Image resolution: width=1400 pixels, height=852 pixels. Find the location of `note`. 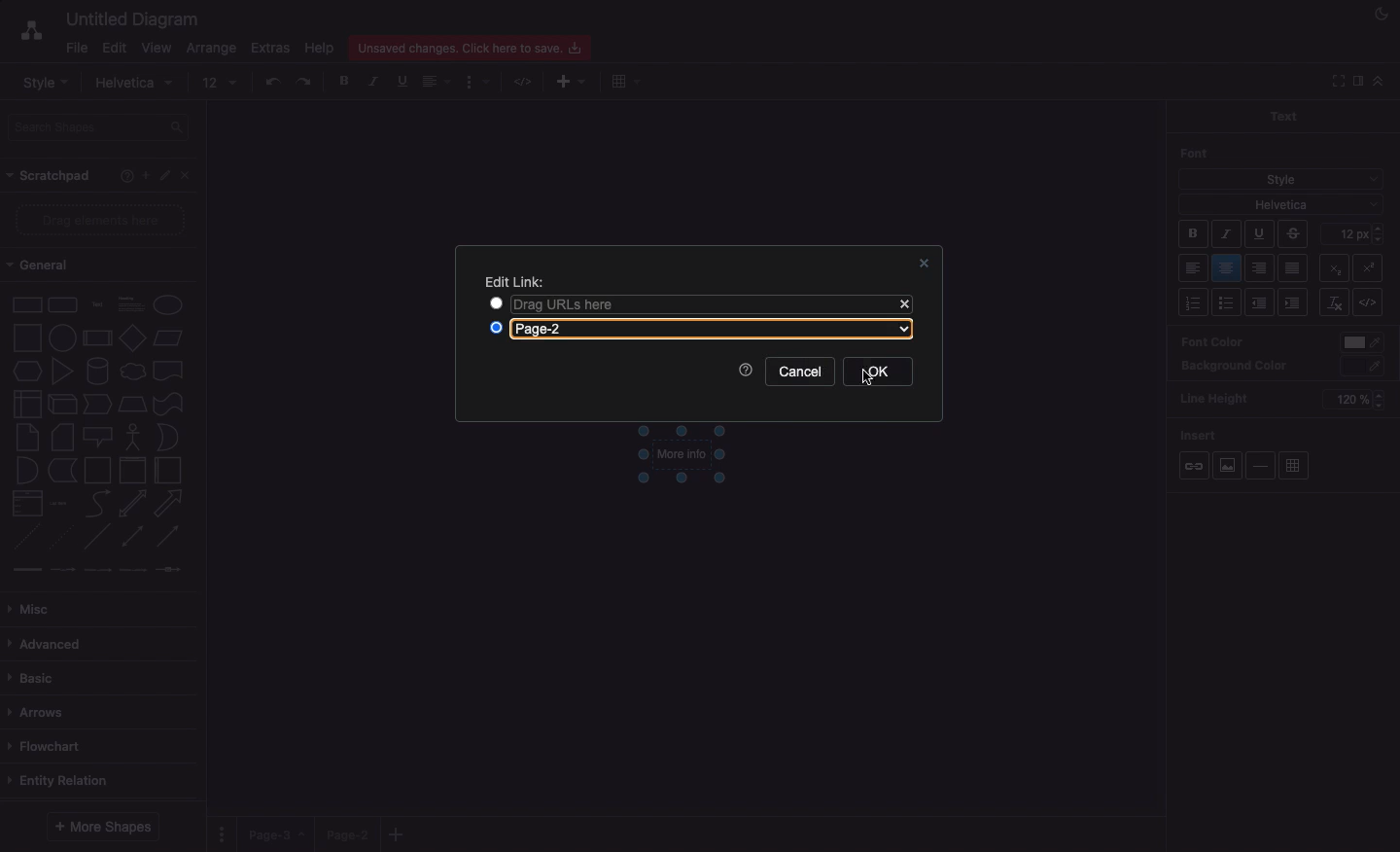

note is located at coordinates (27, 438).